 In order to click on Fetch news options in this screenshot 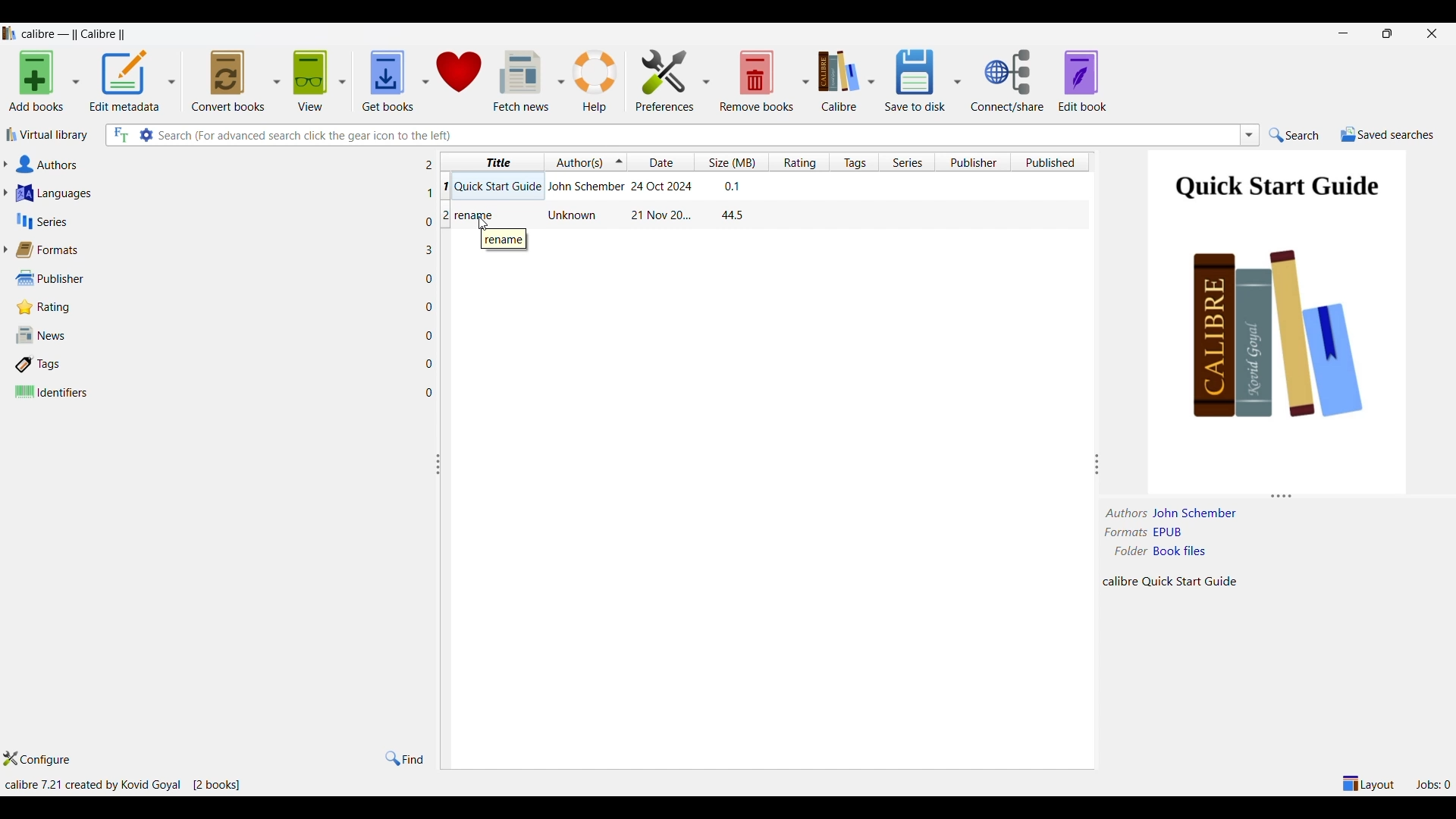, I will do `click(563, 80)`.